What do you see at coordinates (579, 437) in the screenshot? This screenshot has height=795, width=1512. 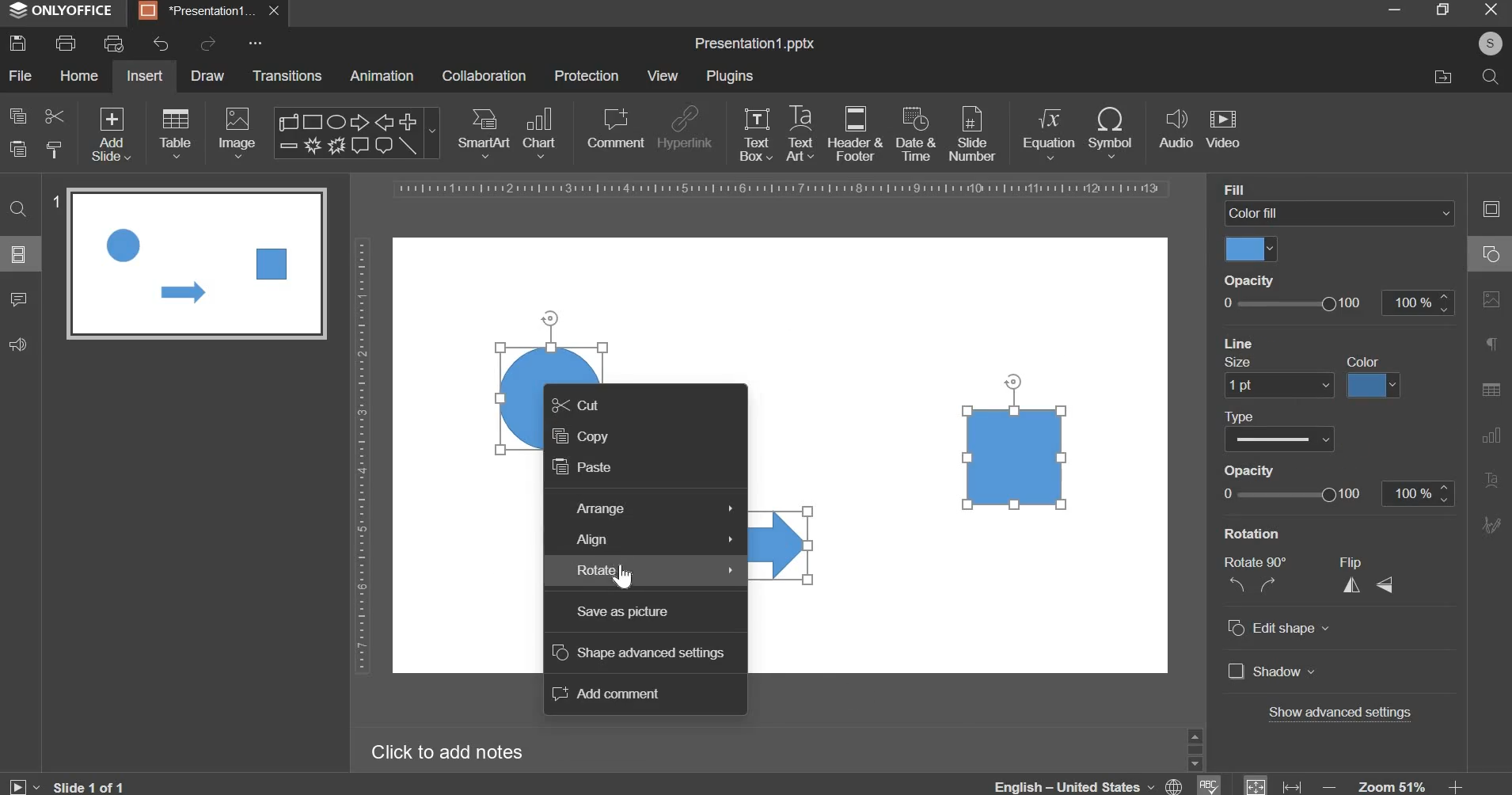 I see `copy` at bounding box center [579, 437].